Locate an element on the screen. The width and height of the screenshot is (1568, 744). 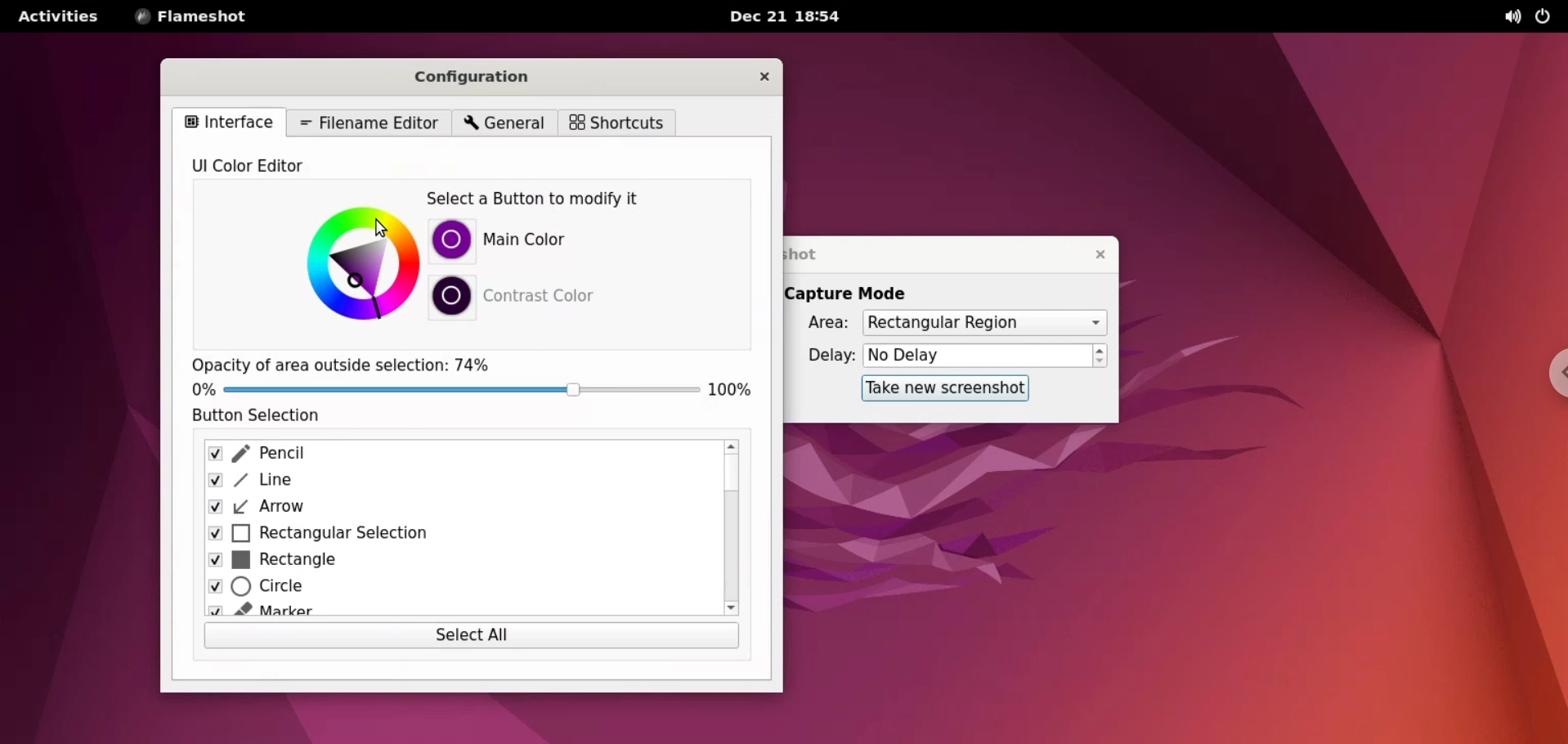
rectangular selection checkbox is located at coordinates (452, 536).